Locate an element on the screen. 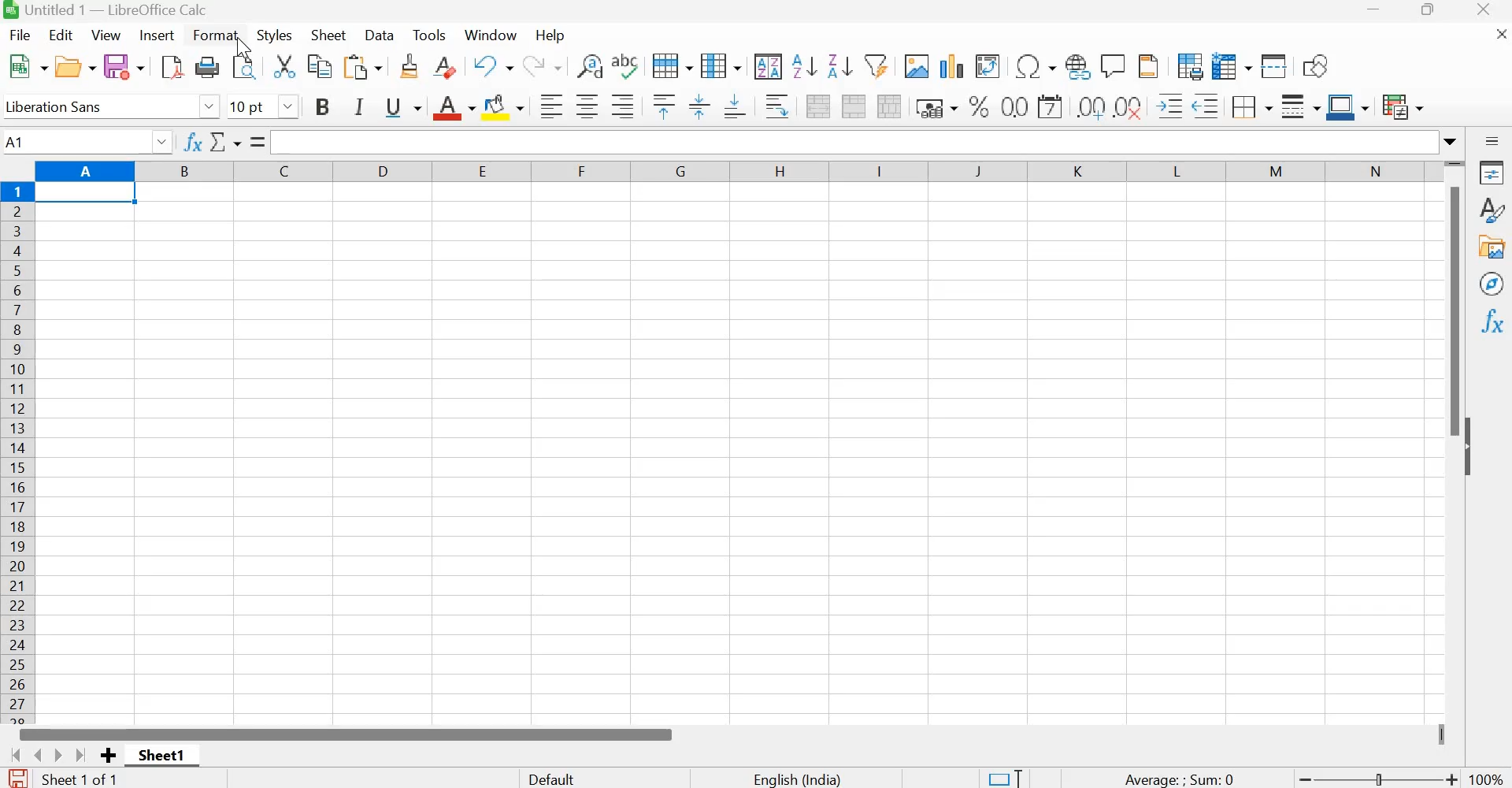 Image resolution: width=1512 pixels, height=788 pixels. Spelling is located at coordinates (626, 65).